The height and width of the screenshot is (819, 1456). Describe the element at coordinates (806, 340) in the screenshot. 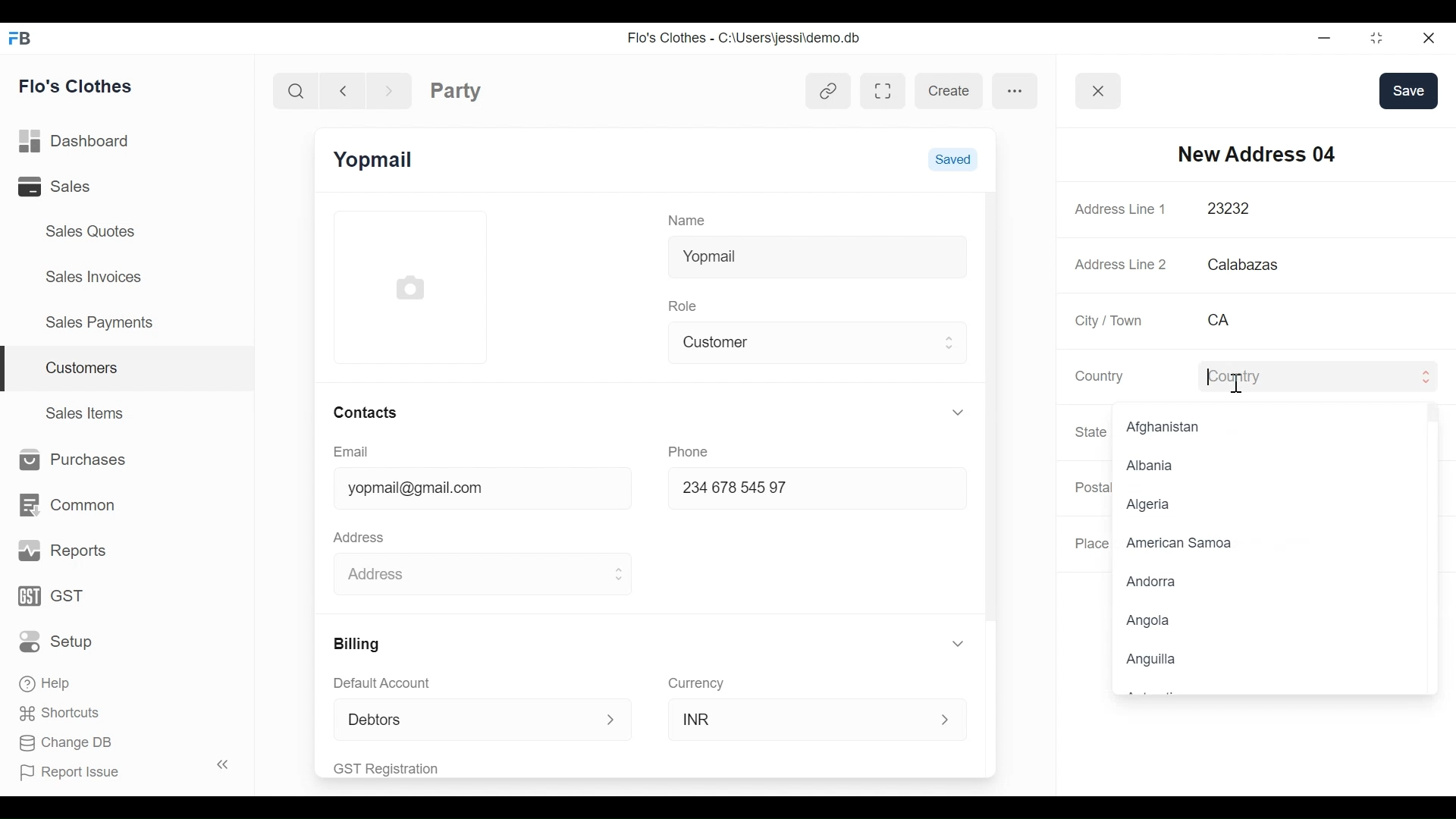

I see `Customer` at that location.